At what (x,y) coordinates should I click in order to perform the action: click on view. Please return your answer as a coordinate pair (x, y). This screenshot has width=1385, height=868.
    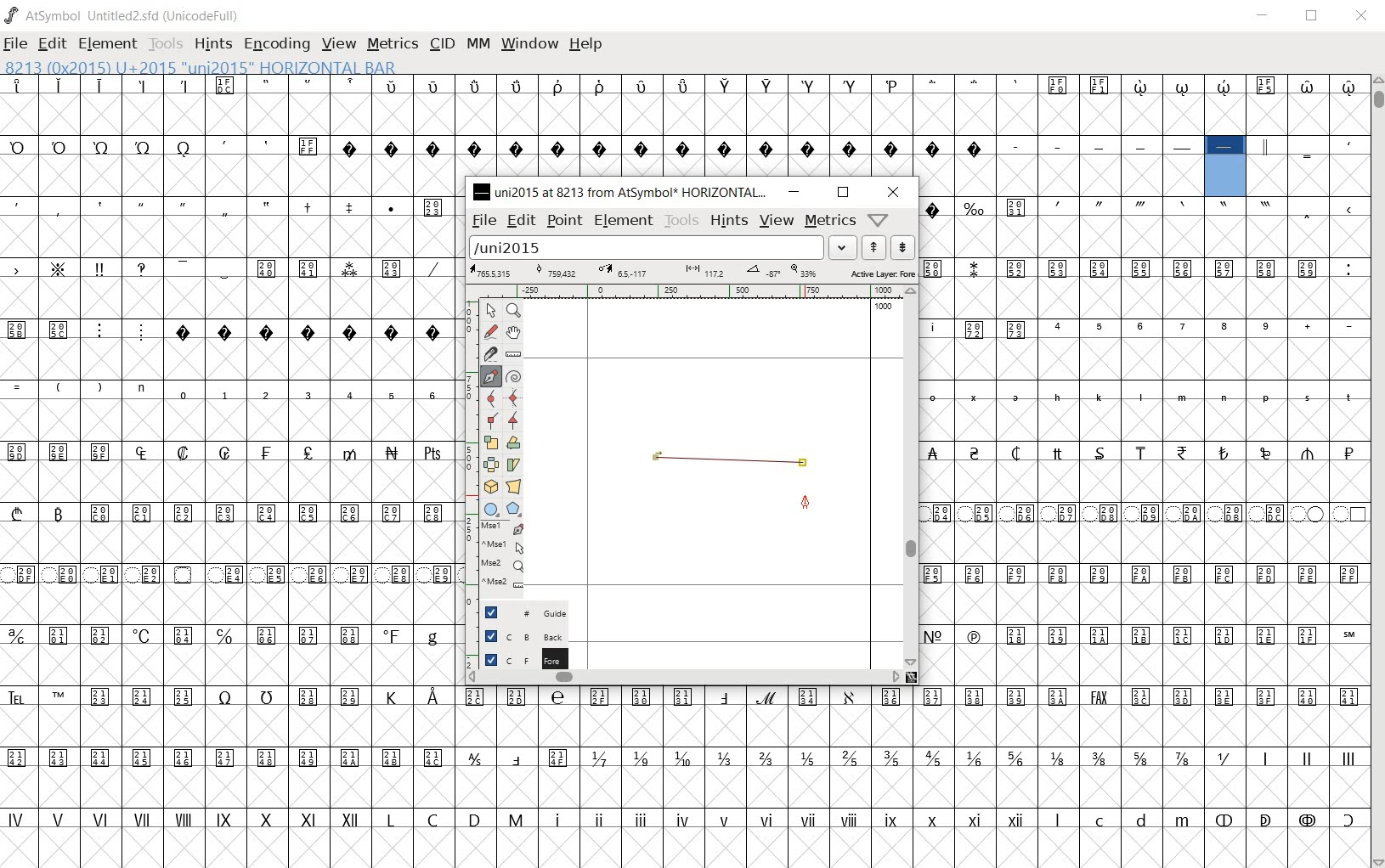
    Looking at the image, I should click on (776, 221).